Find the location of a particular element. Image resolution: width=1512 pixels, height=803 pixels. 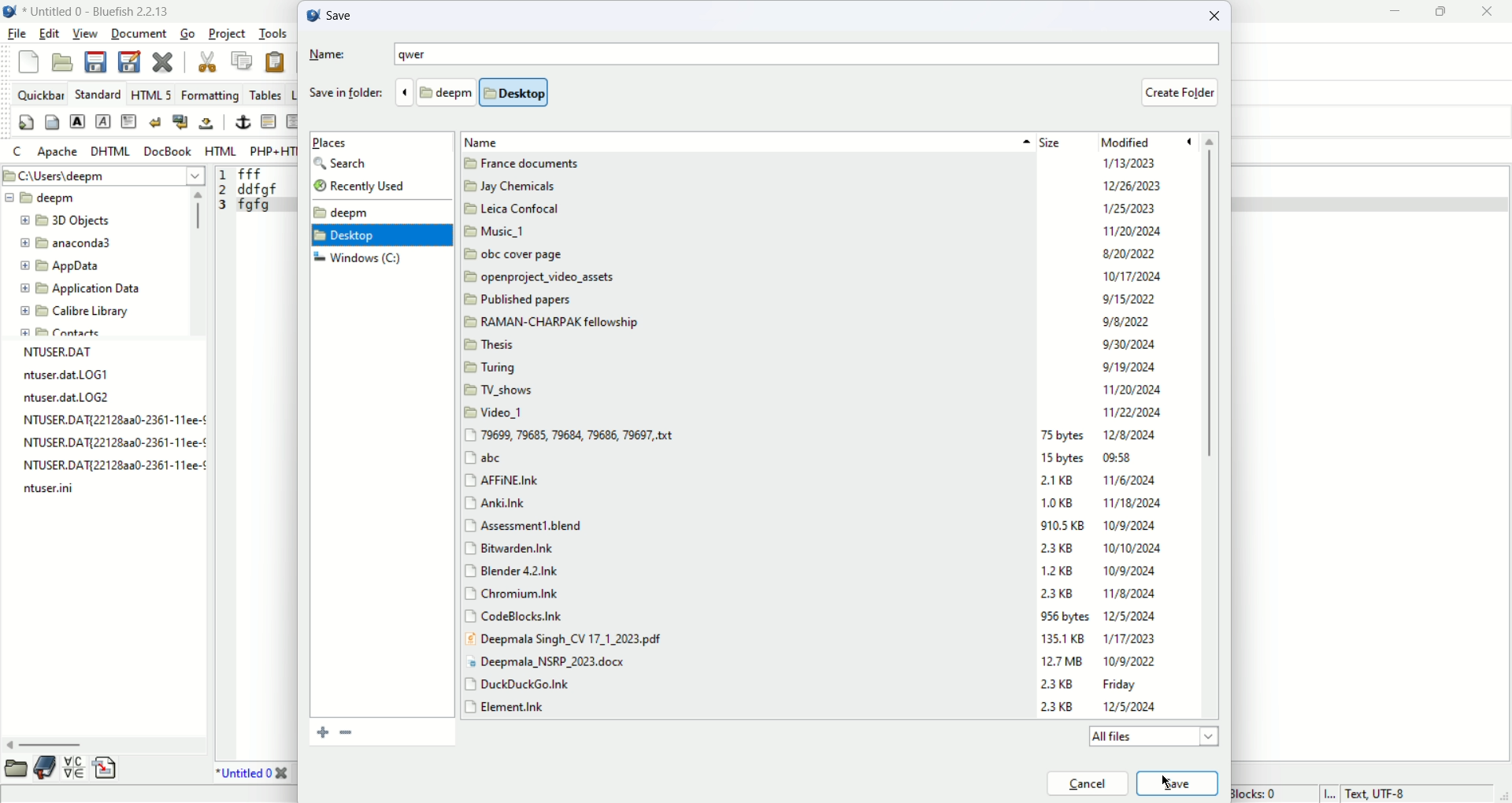

file browser is located at coordinates (15, 769).